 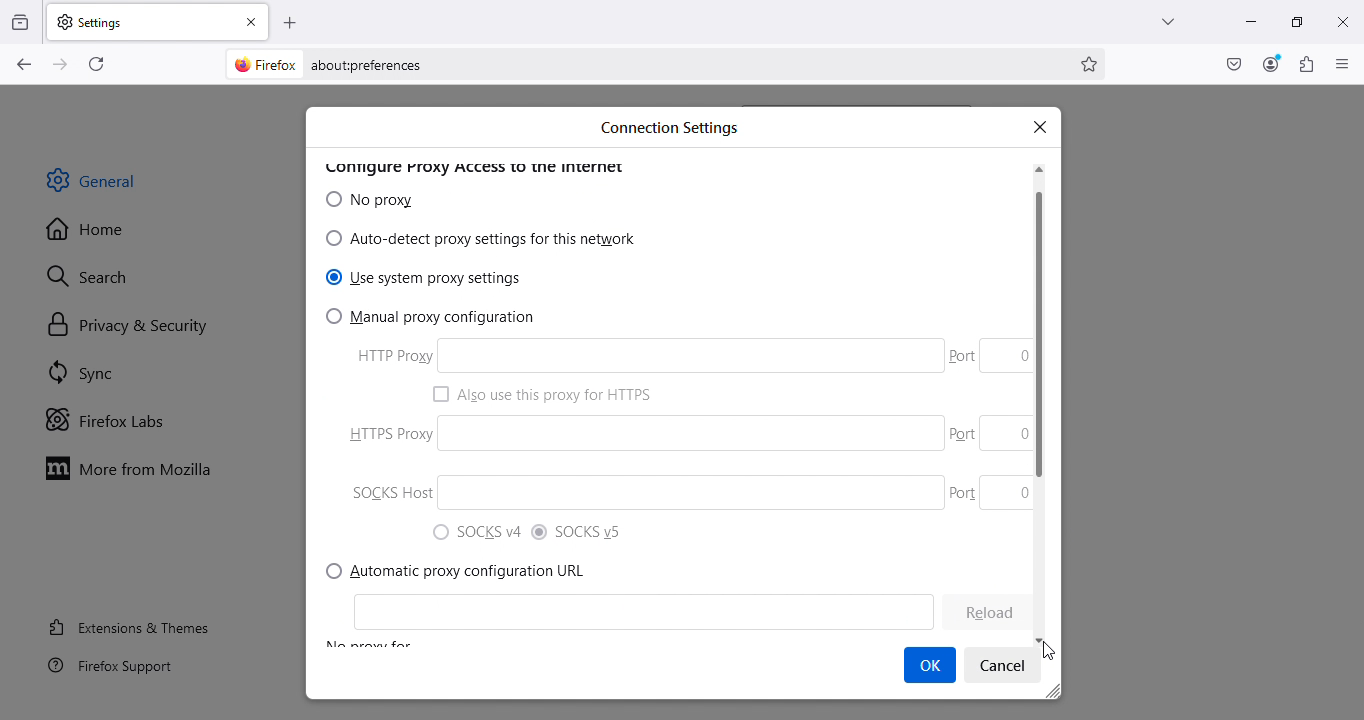 What do you see at coordinates (89, 376) in the screenshot?
I see `SYnc` at bounding box center [89, 376].